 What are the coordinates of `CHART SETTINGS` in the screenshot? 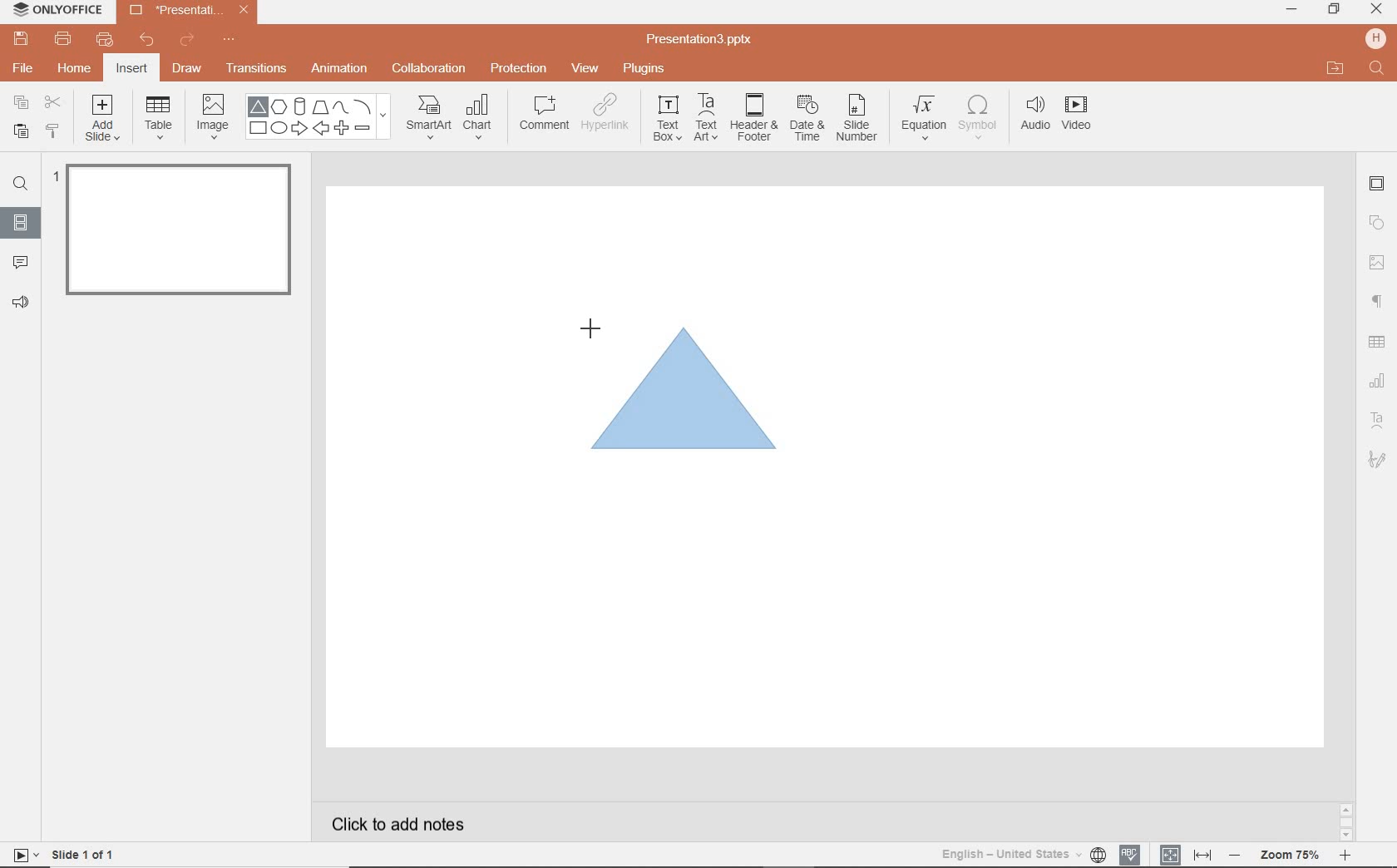 It's located at (1378, 379).